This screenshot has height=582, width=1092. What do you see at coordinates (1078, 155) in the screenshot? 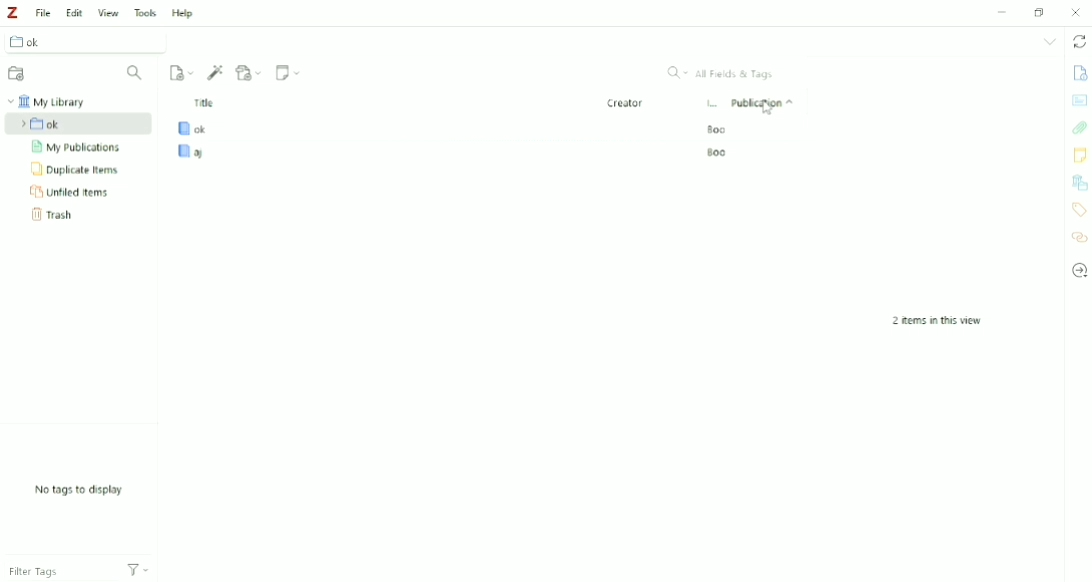
I see `Notes` at bounding box center [1078, 155].